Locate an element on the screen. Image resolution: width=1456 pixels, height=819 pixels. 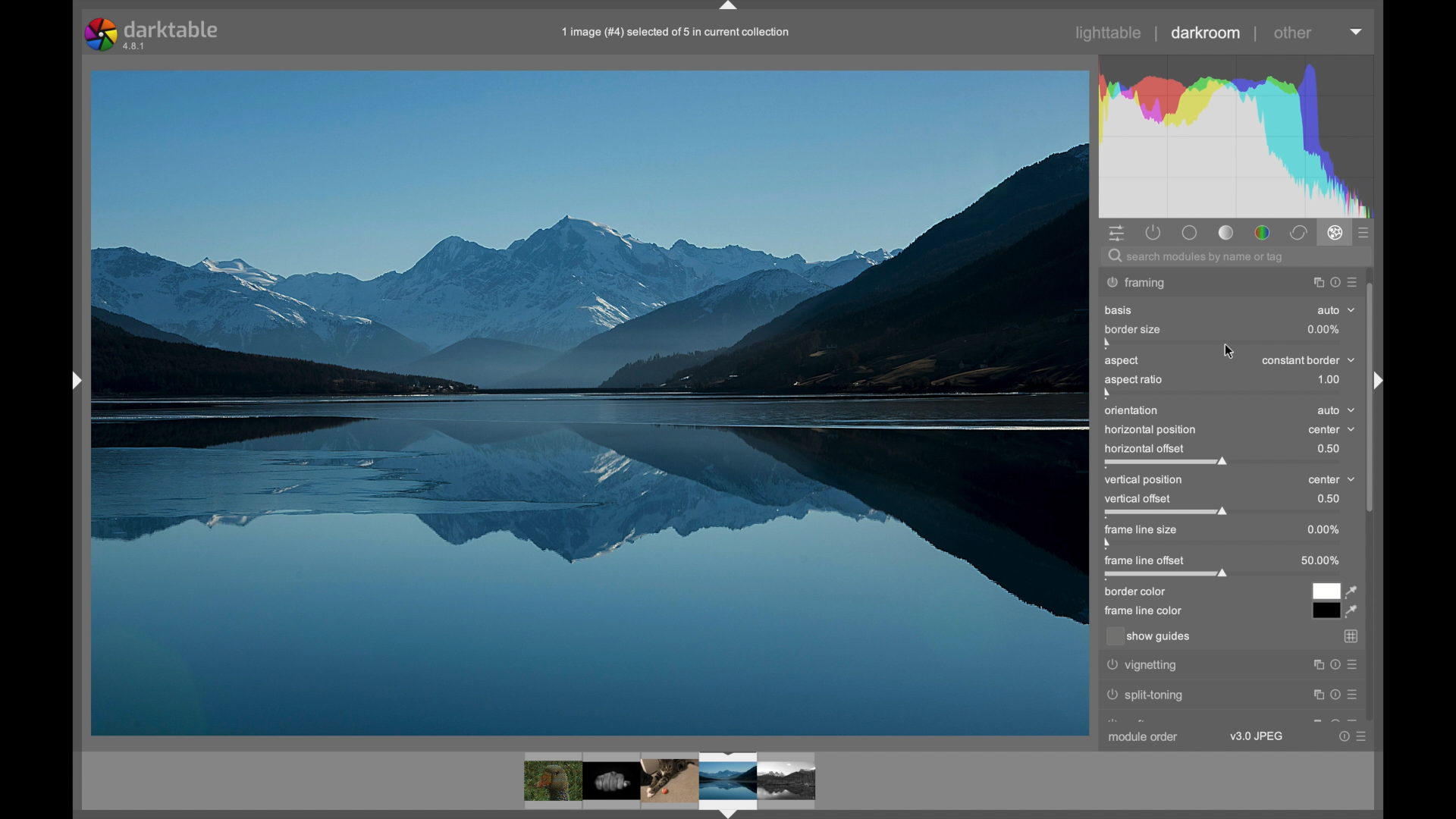
scroll box is located at coordinates (1374, 460).